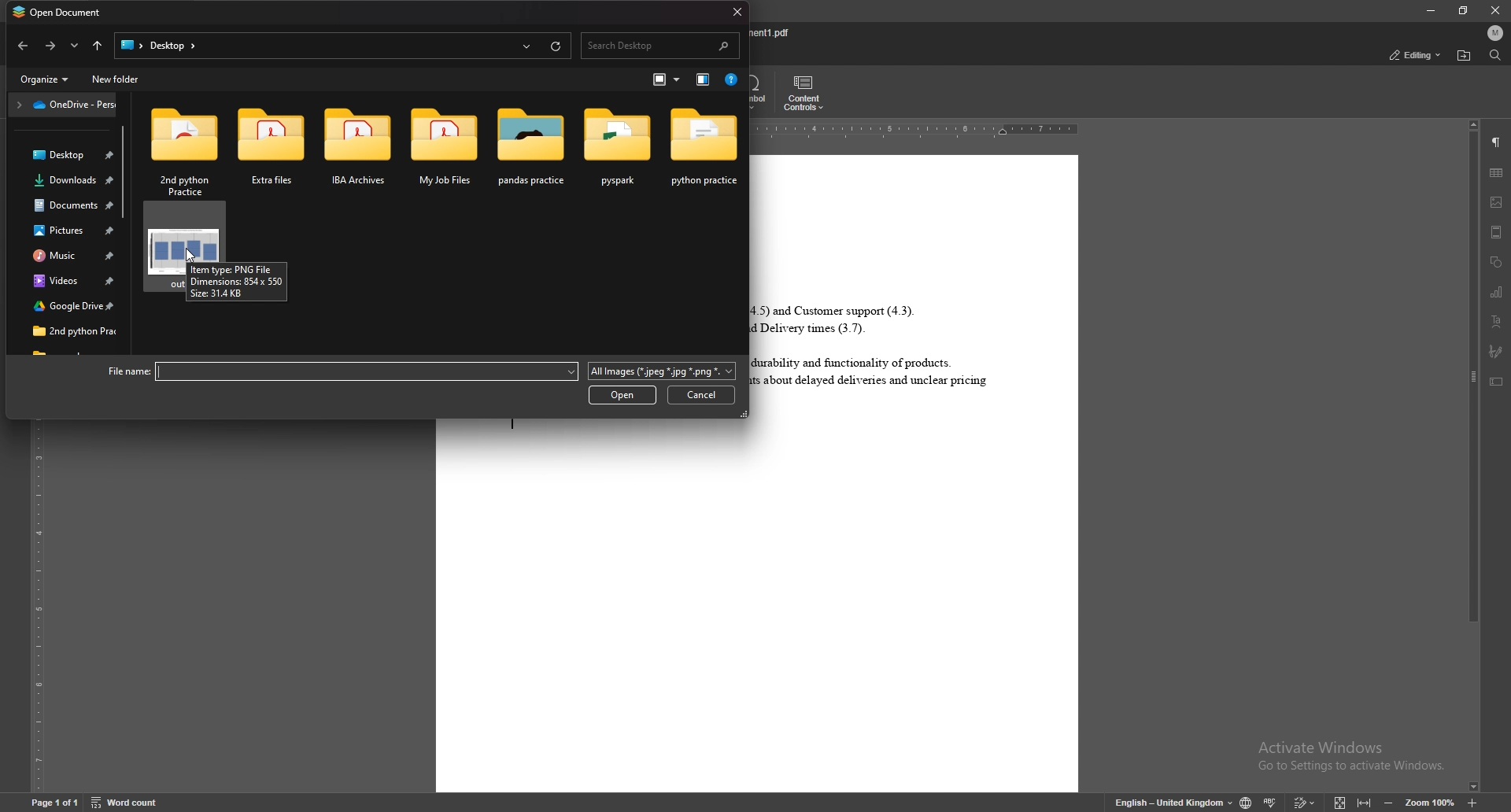  Describe the element at coordinates (1496, 382) in the screenshot. I see `text box` at that location.